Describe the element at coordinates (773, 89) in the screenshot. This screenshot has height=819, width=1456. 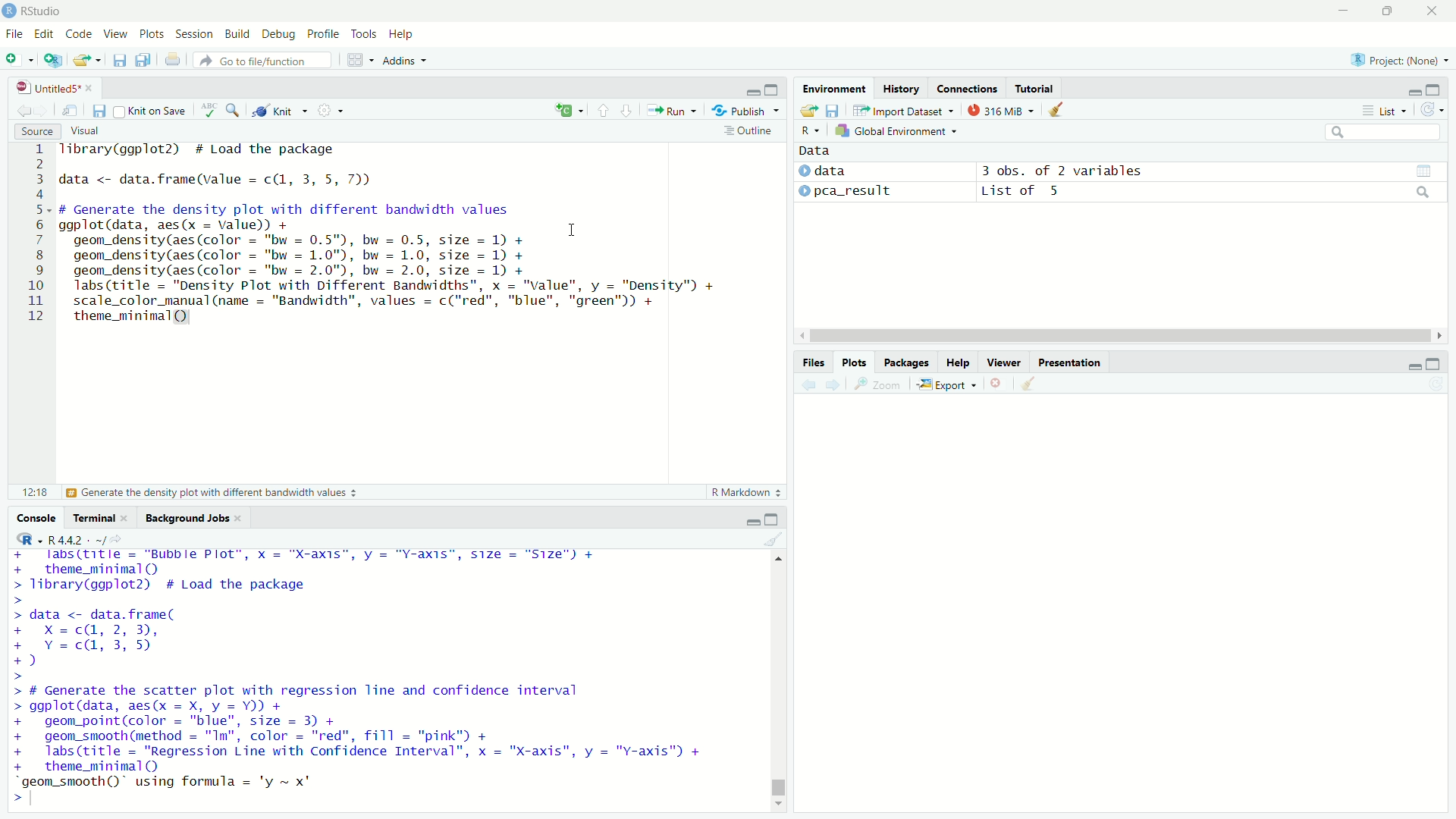
I see `maximize` at that location.